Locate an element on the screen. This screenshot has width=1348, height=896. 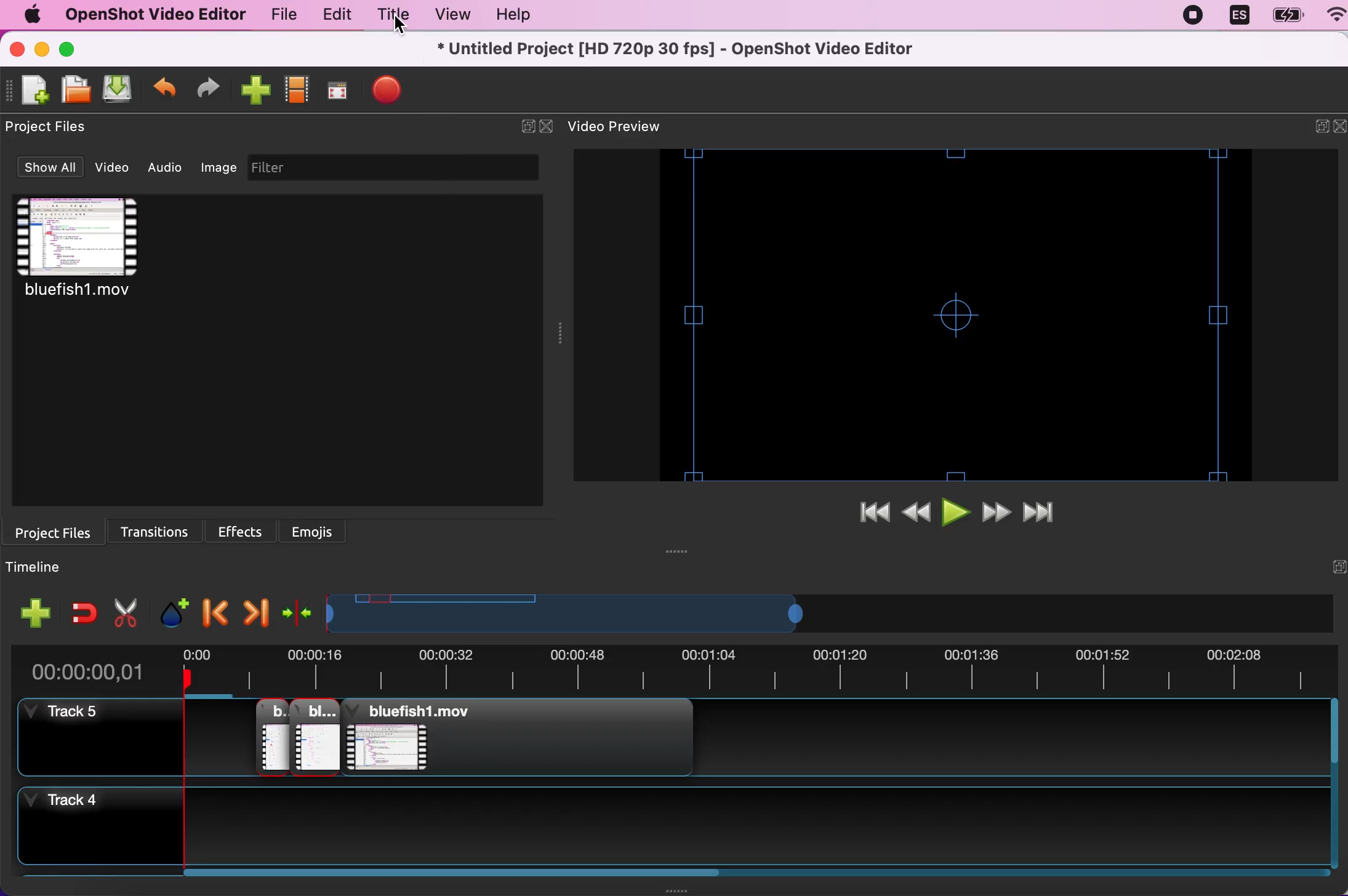
video duration is located at coordinates (656, 614).